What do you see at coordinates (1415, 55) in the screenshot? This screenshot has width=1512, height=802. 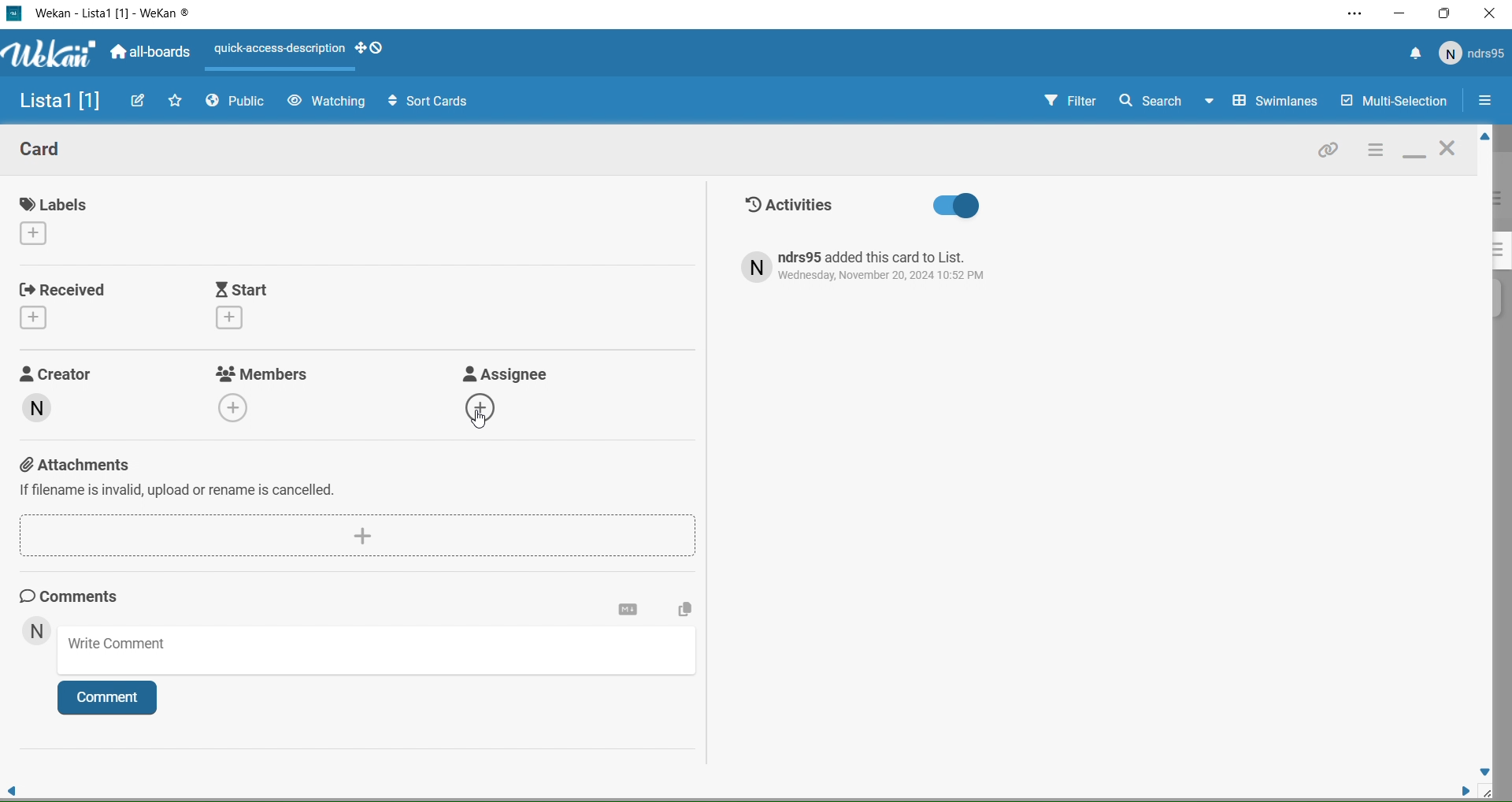 I see `Notifications` at bounding box center [1415, 55].